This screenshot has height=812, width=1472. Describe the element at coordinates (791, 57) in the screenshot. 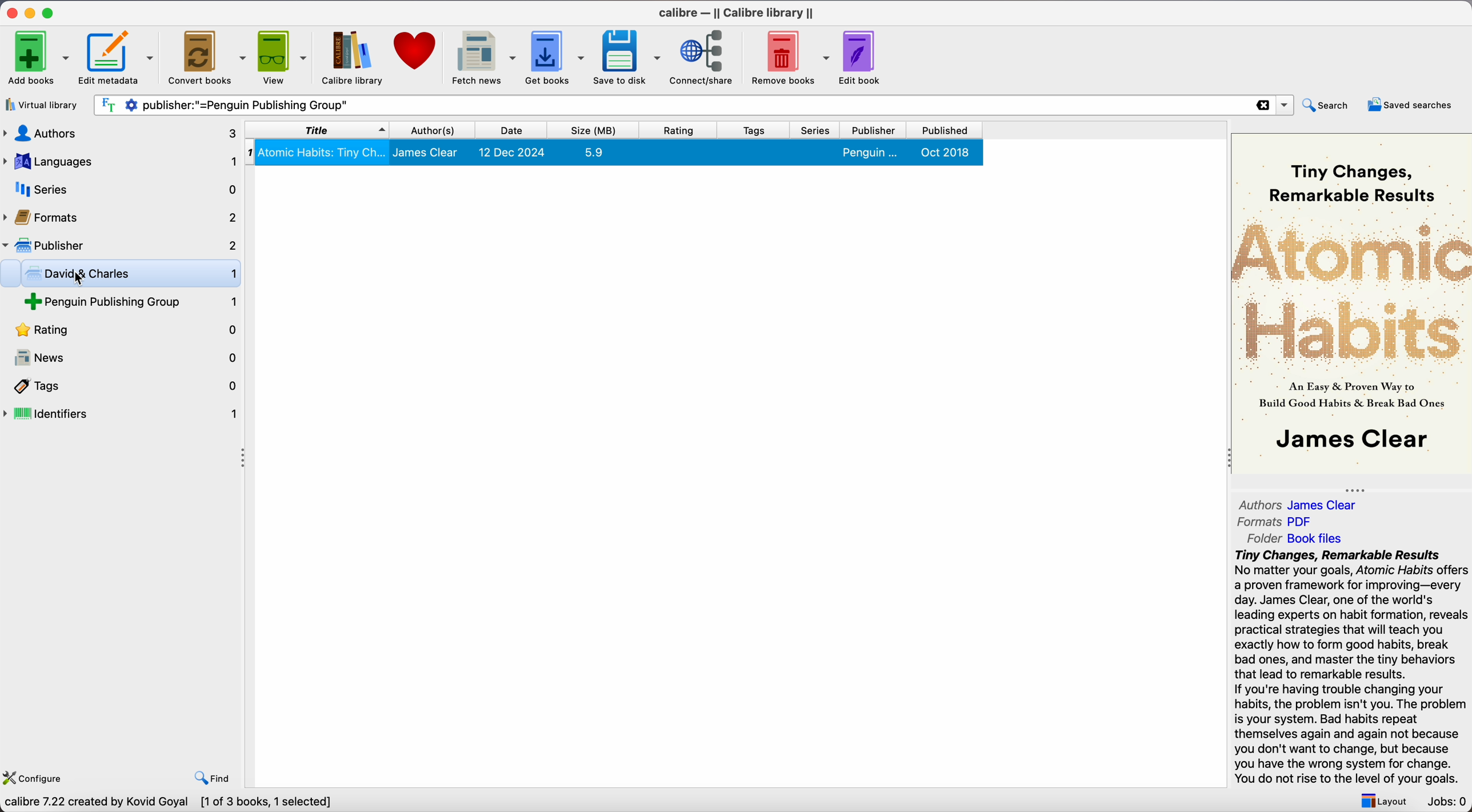

I see `remove books` at that location.